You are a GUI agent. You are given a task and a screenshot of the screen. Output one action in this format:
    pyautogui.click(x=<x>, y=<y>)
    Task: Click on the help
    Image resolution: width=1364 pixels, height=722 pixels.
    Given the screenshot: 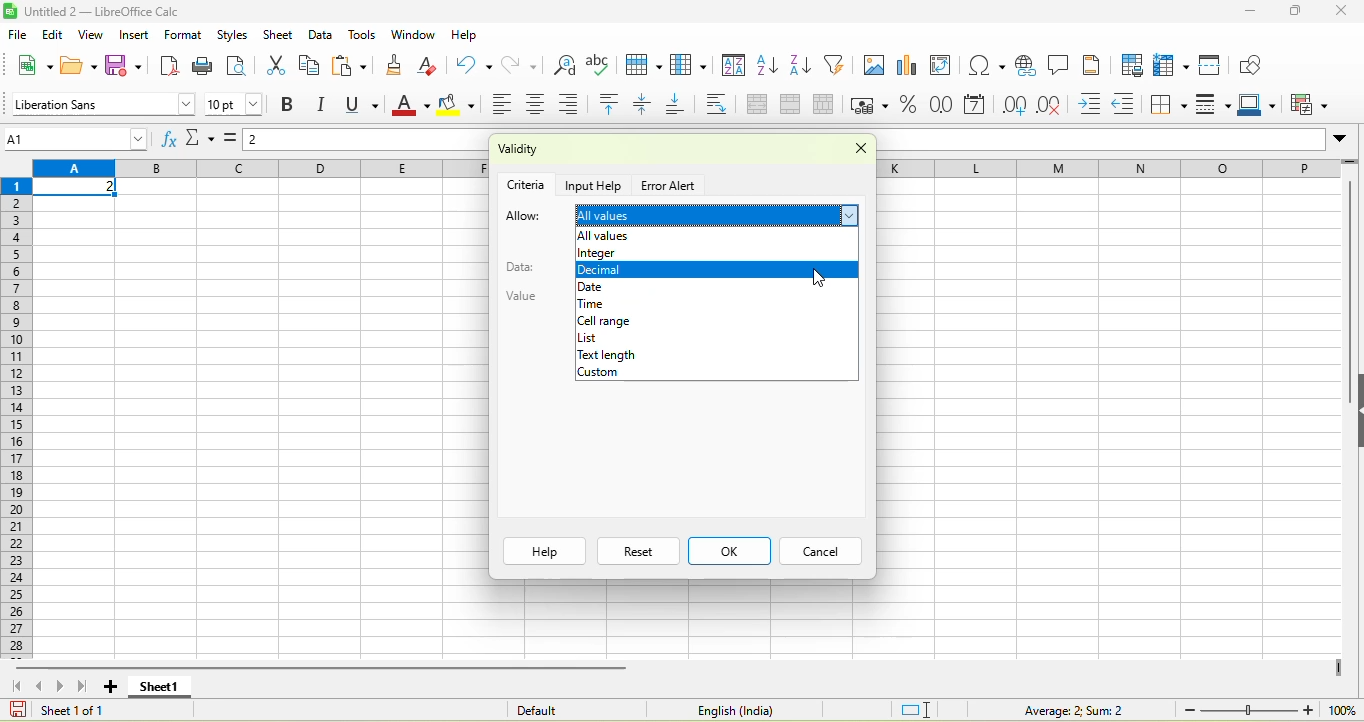 What is the action you would take?
    pyautogui.click(x=544, y=551)
    